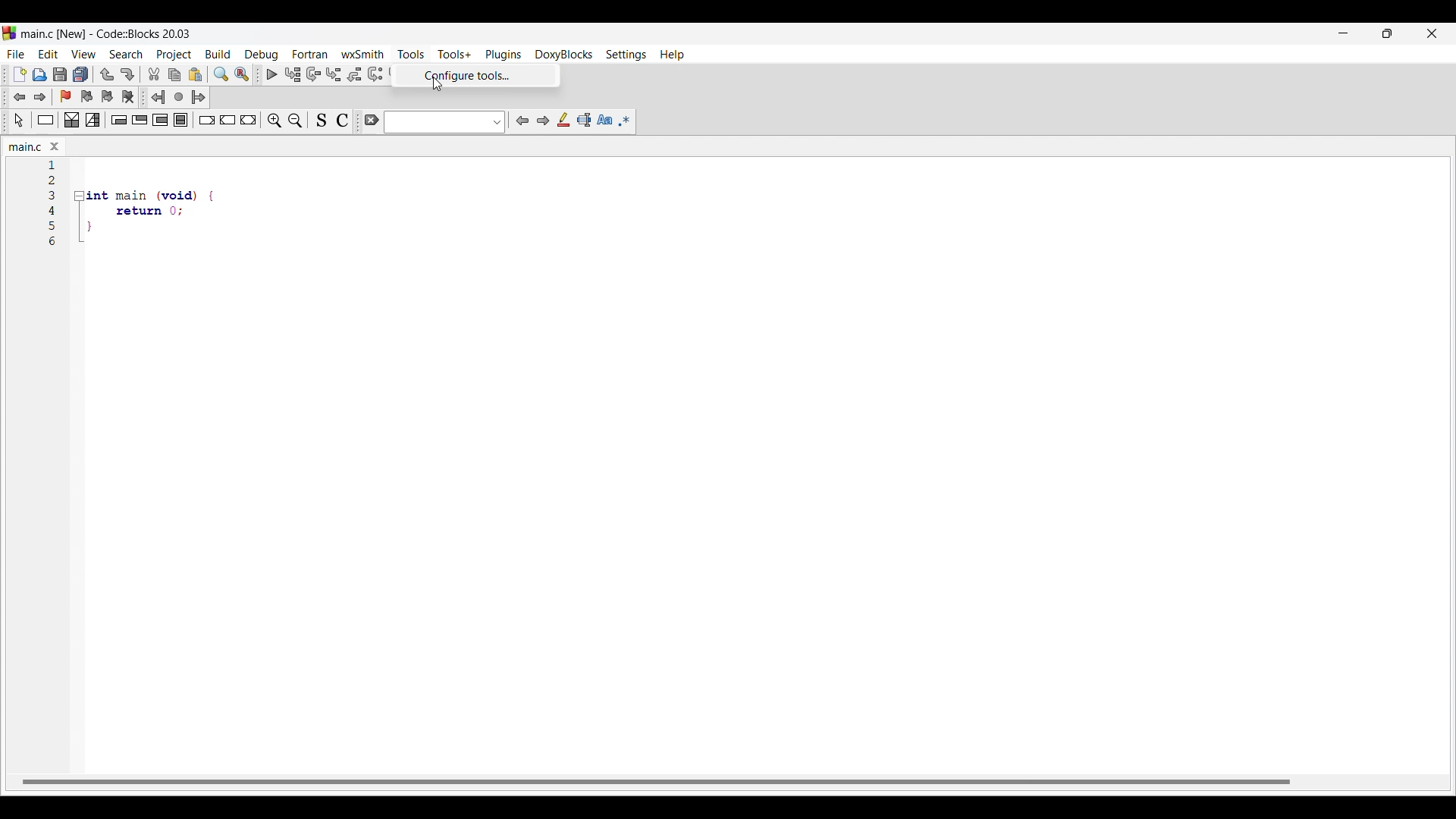 This screenshot has width=1456, height=819. What do you see at coordinates (60, 74) in the screenshot?
I see `Save` at bounding box center [60, 74].